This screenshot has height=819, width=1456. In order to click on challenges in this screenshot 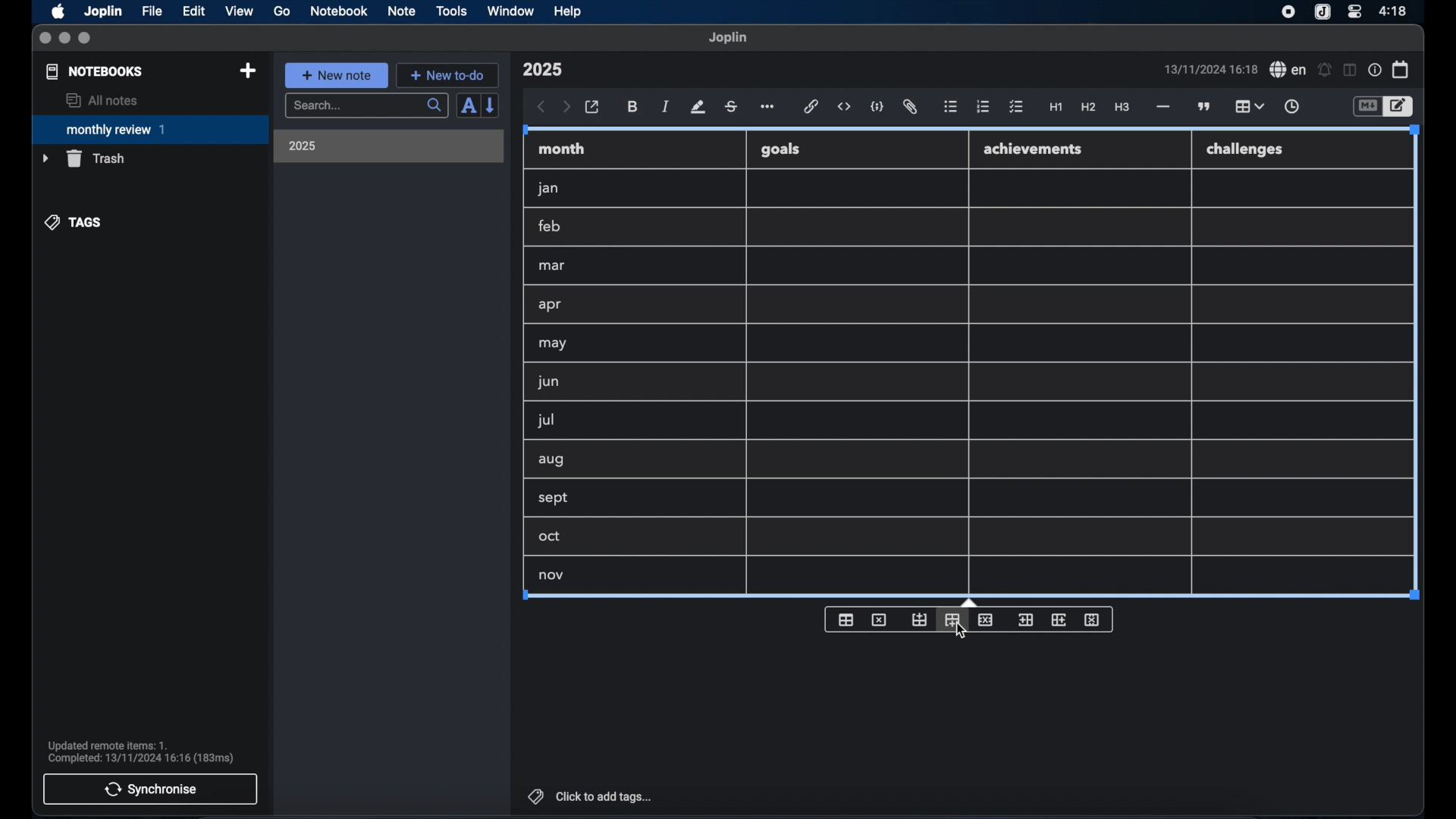, I will do `click(1246, 150)`.